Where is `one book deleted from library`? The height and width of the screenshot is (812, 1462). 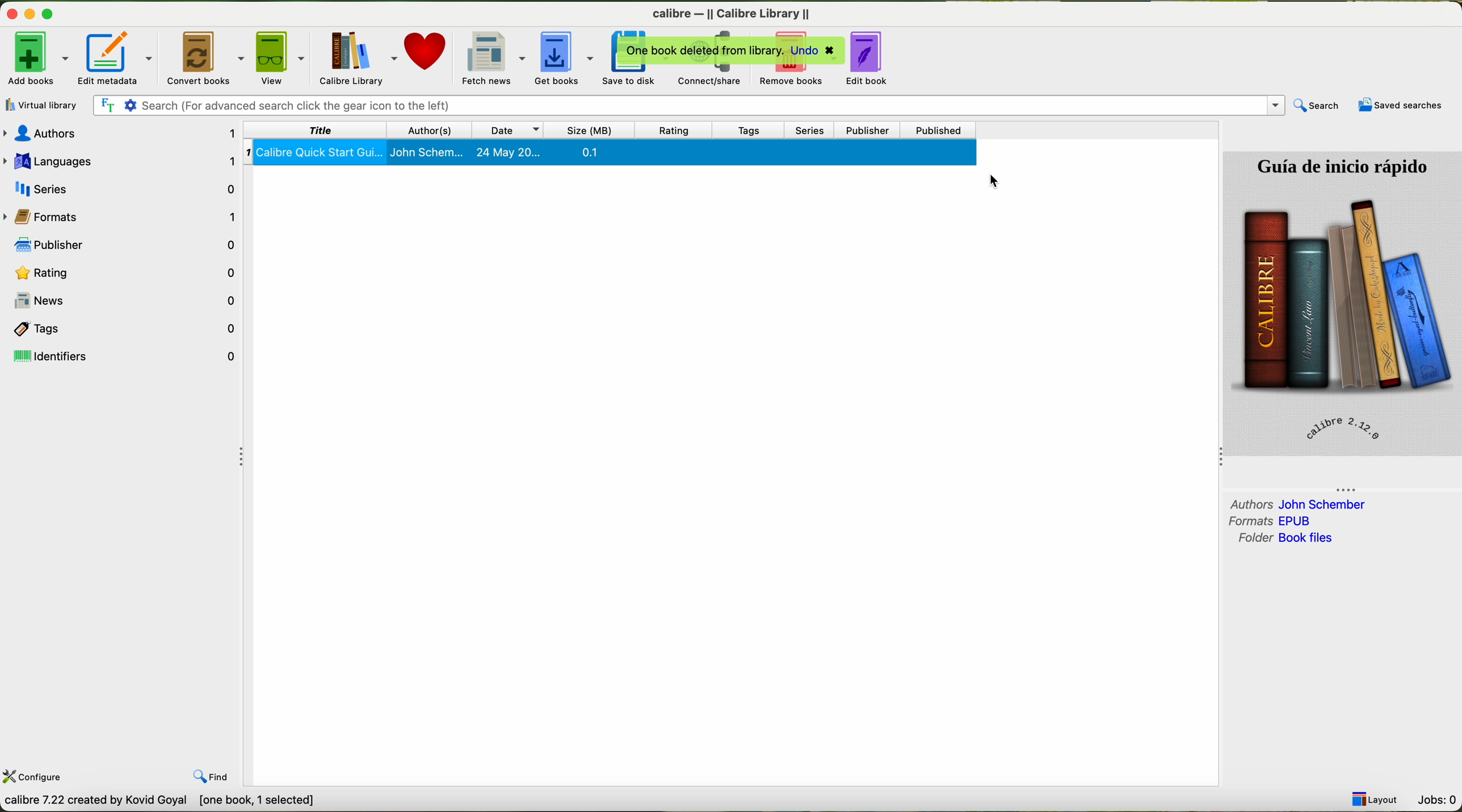
one book deleted from library is located at coordinates (701, 50).